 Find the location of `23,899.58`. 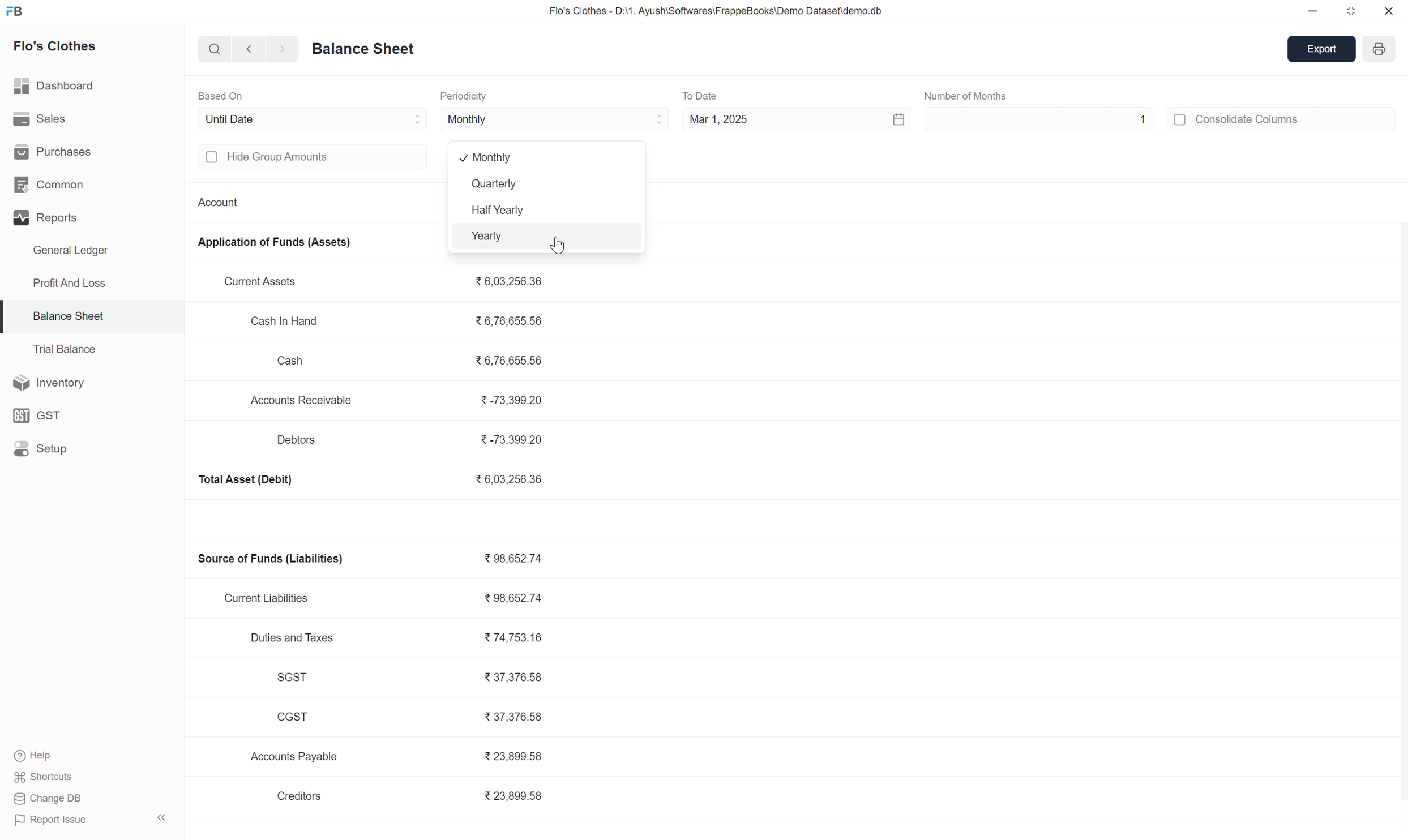

23,899.58 is located at coordinates (515, 795).